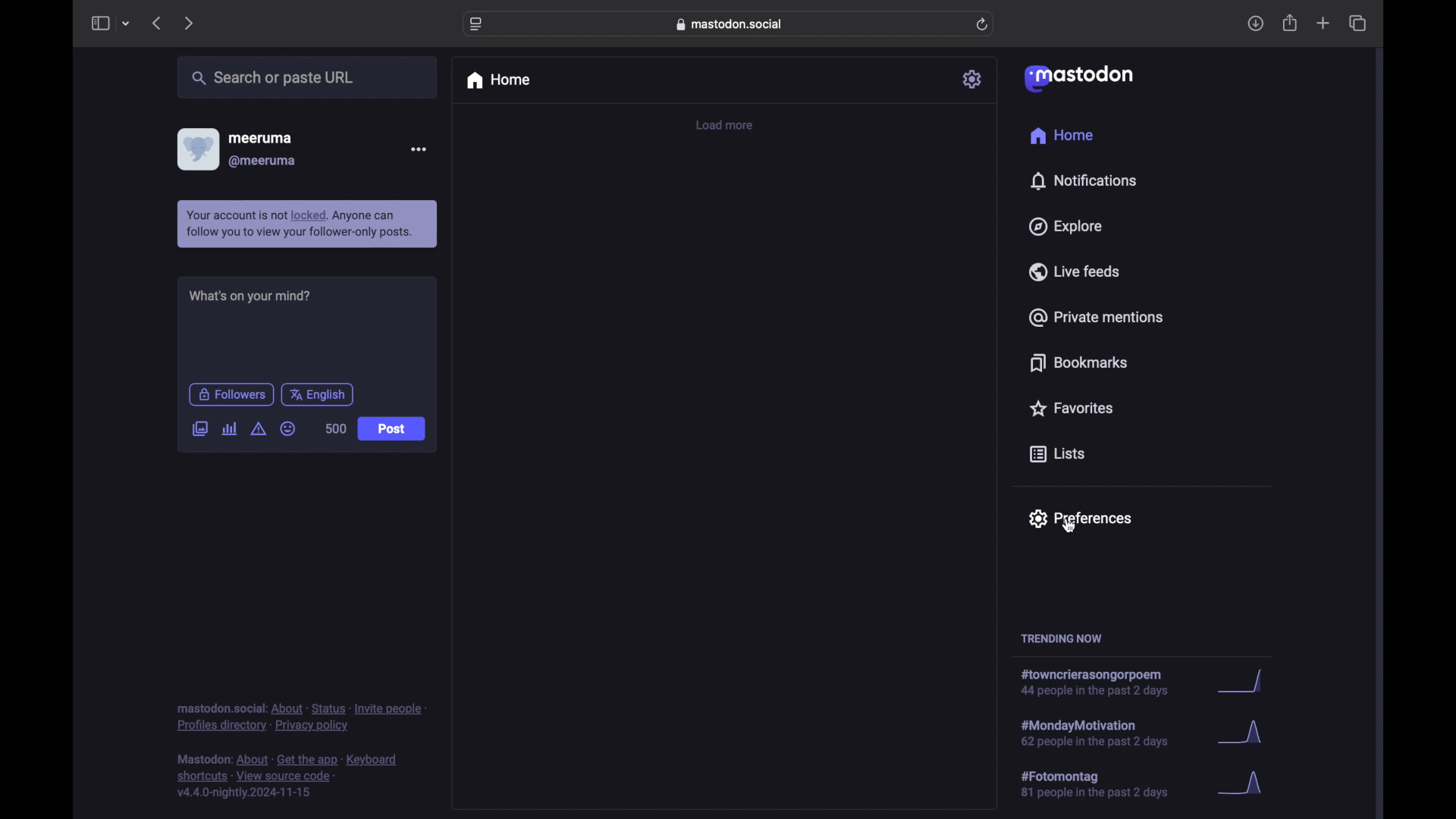 The image size is (1456, 819). Describe the element at coordinates (231, 394) in the screenshot. I see `followers` at that location.